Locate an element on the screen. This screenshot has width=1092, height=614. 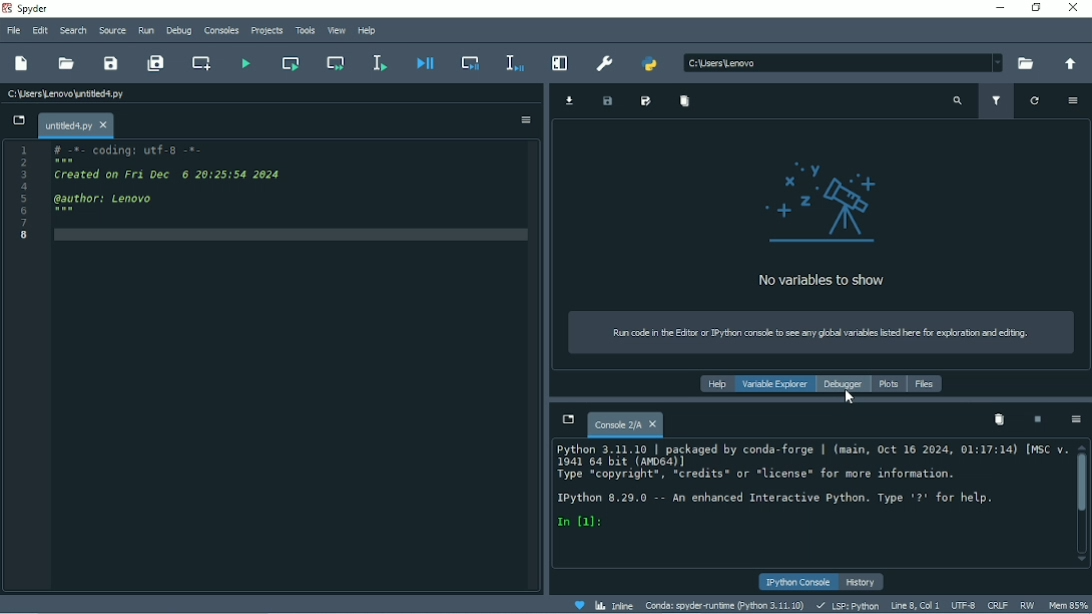
Plots is located at coordinates (889, 384).